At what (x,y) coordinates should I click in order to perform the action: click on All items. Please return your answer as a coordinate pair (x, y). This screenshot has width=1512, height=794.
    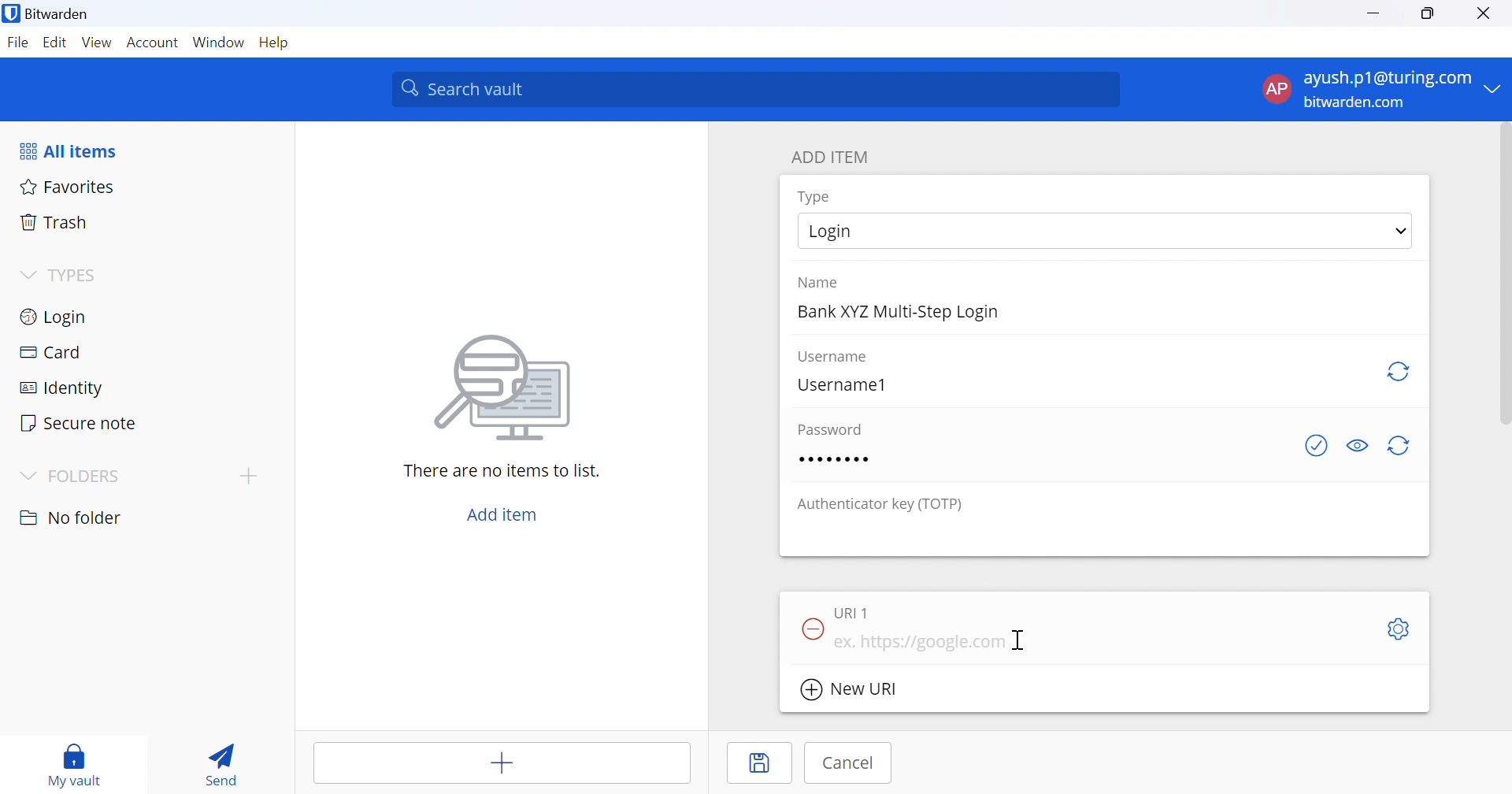
    Looking at the image, I should click on (72, 149).